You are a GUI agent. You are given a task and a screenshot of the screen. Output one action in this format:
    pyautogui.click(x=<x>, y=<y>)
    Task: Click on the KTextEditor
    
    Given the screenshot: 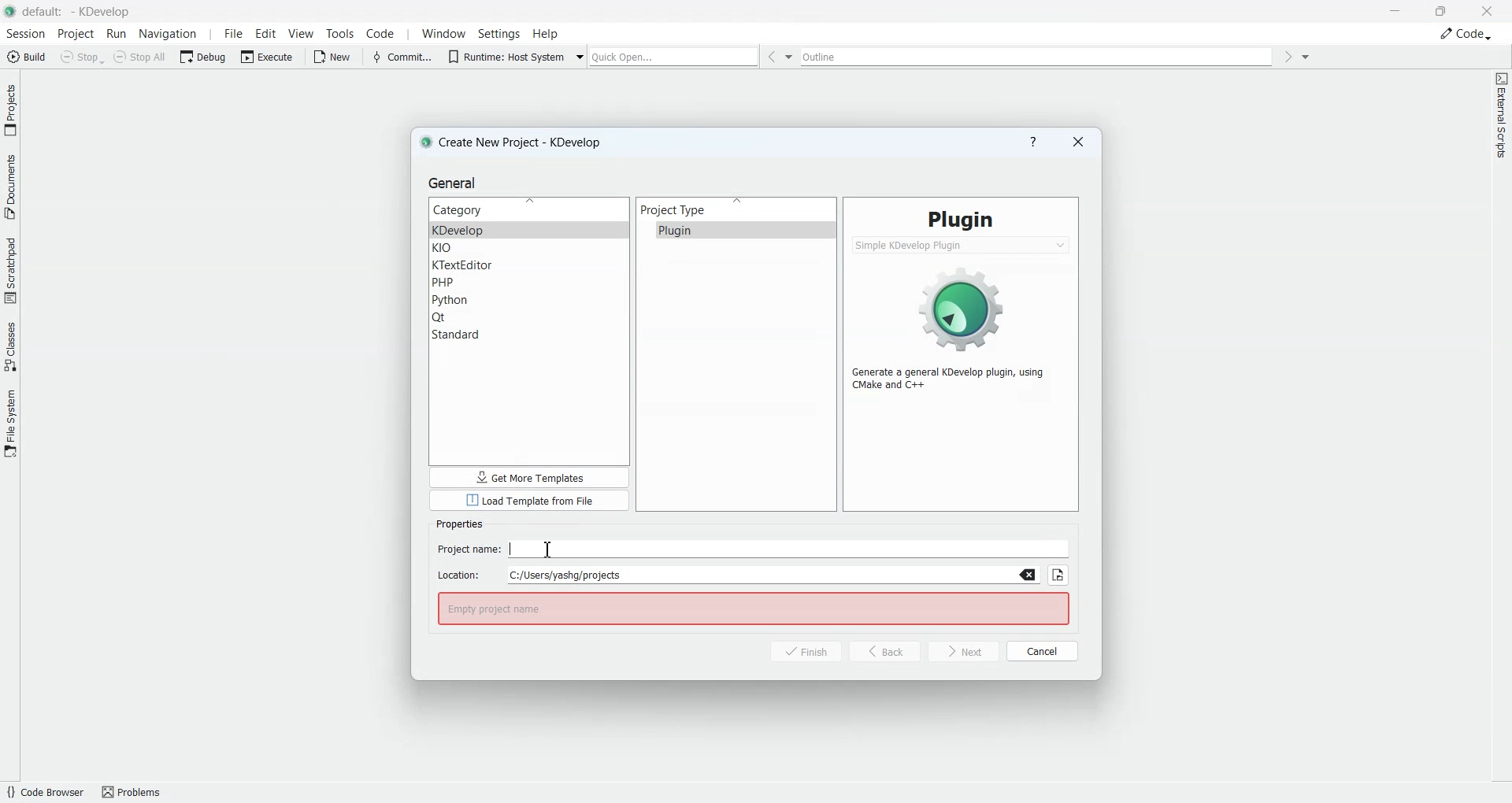 What is the action you would take?
    pyautogui.click(x=529, y=265)
    